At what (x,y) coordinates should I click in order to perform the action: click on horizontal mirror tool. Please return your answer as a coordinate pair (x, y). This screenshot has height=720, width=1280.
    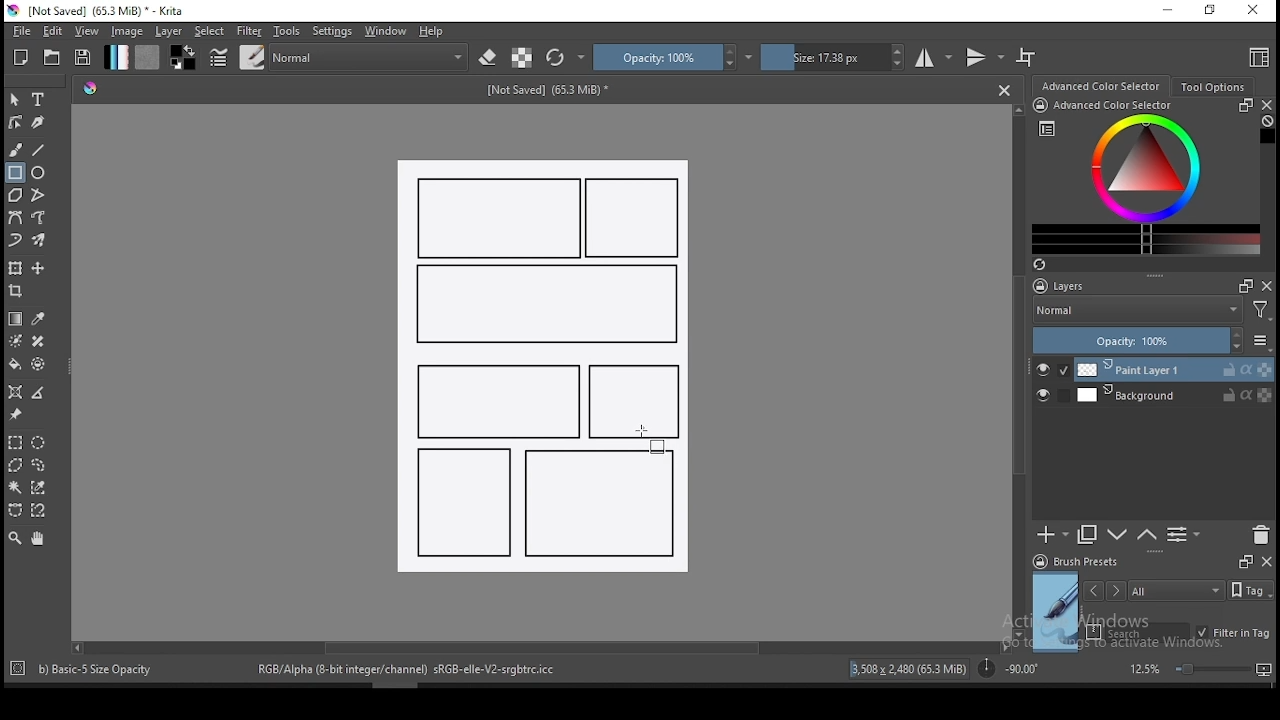
    Looking at the image, I should click on (934, 57).